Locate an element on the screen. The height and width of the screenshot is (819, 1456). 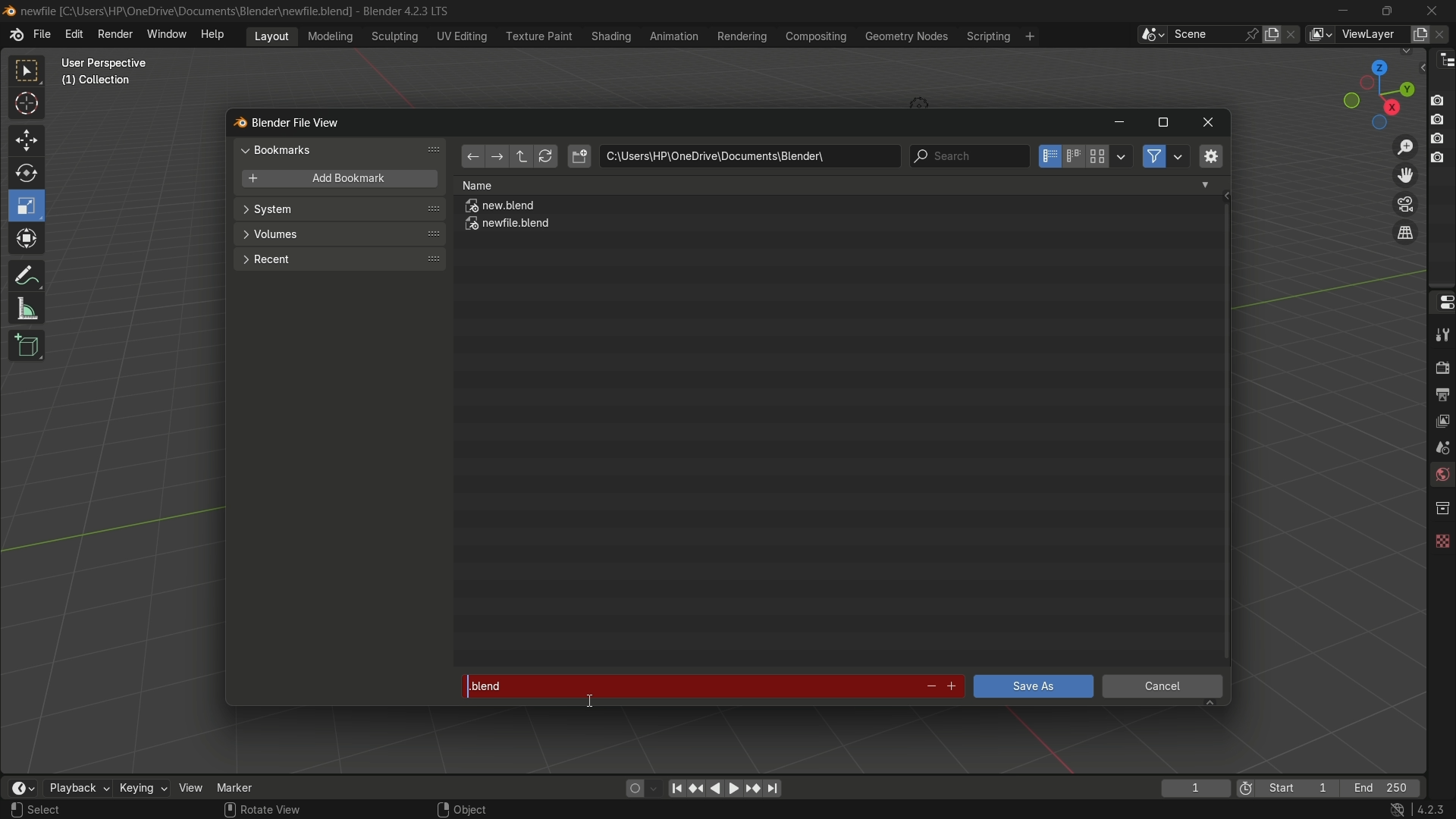
auto keyframe is located at coordinates (654, 788).